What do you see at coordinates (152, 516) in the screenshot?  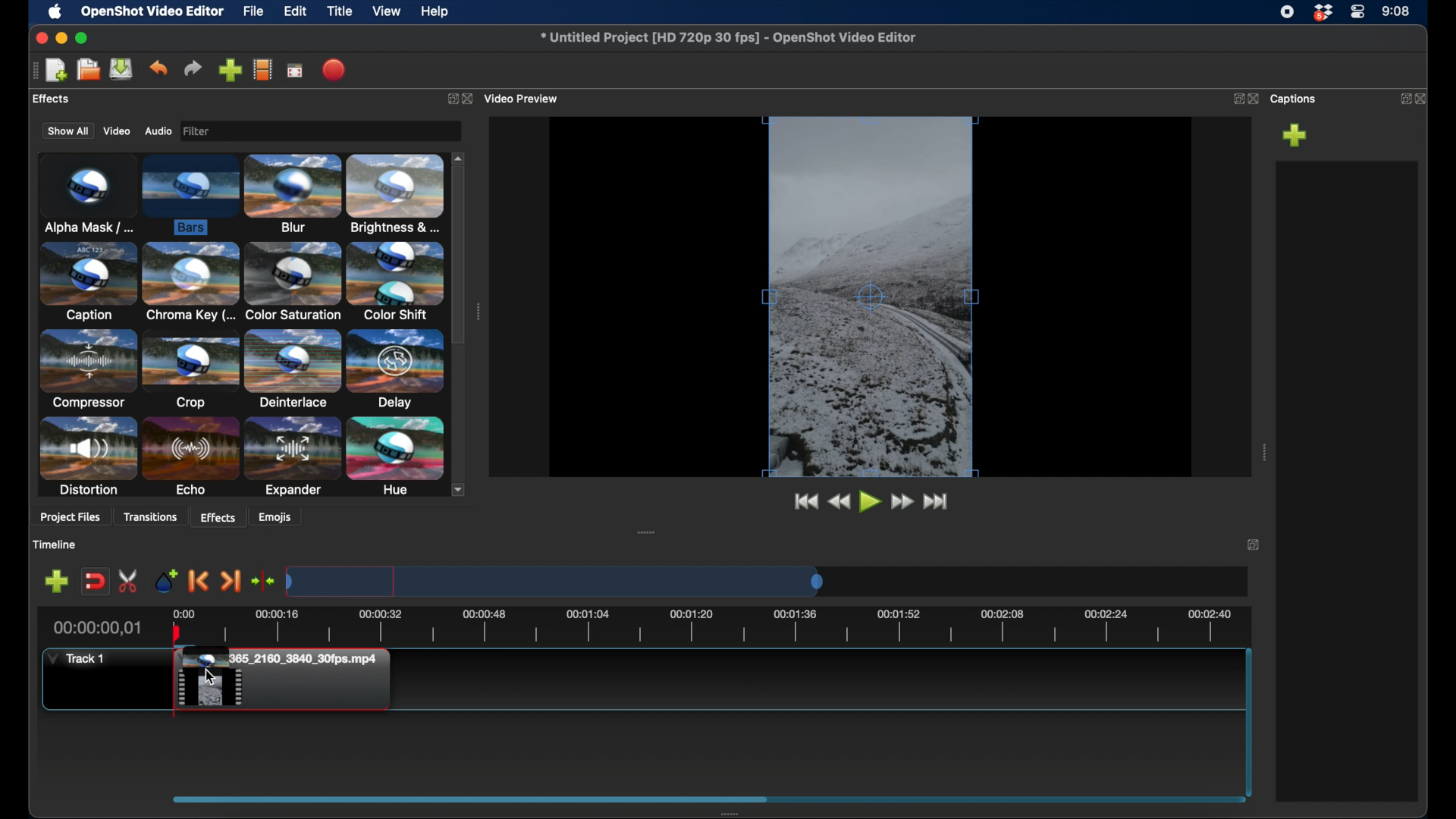 I see `transitions` at bounding box center [152, 516].